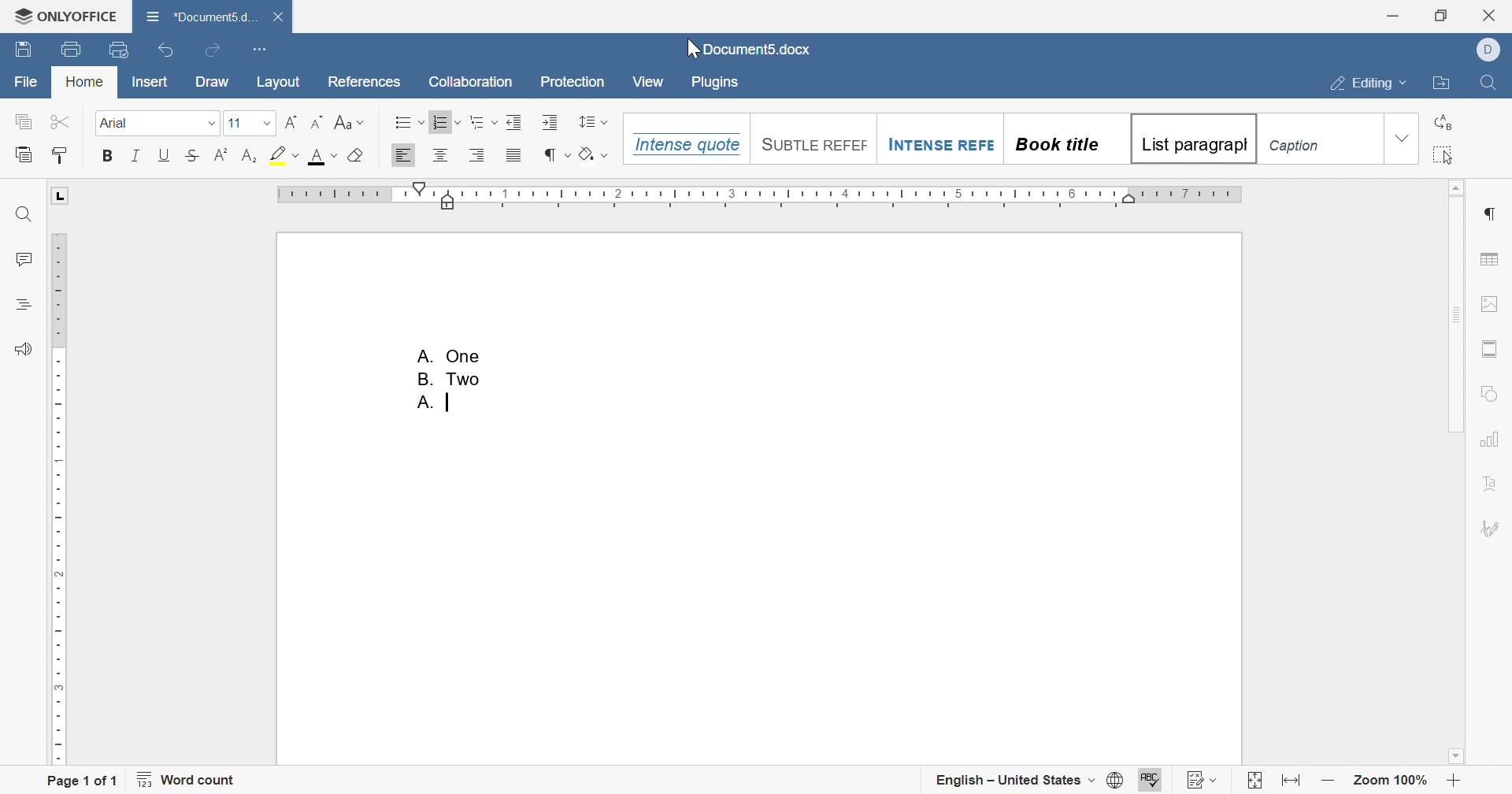 The width and height of the screenshot is (1512, 794). What do you see at coordinates (1055, 144) in the screenshot?
I see `Book title` at bounding box center [1055, 144].